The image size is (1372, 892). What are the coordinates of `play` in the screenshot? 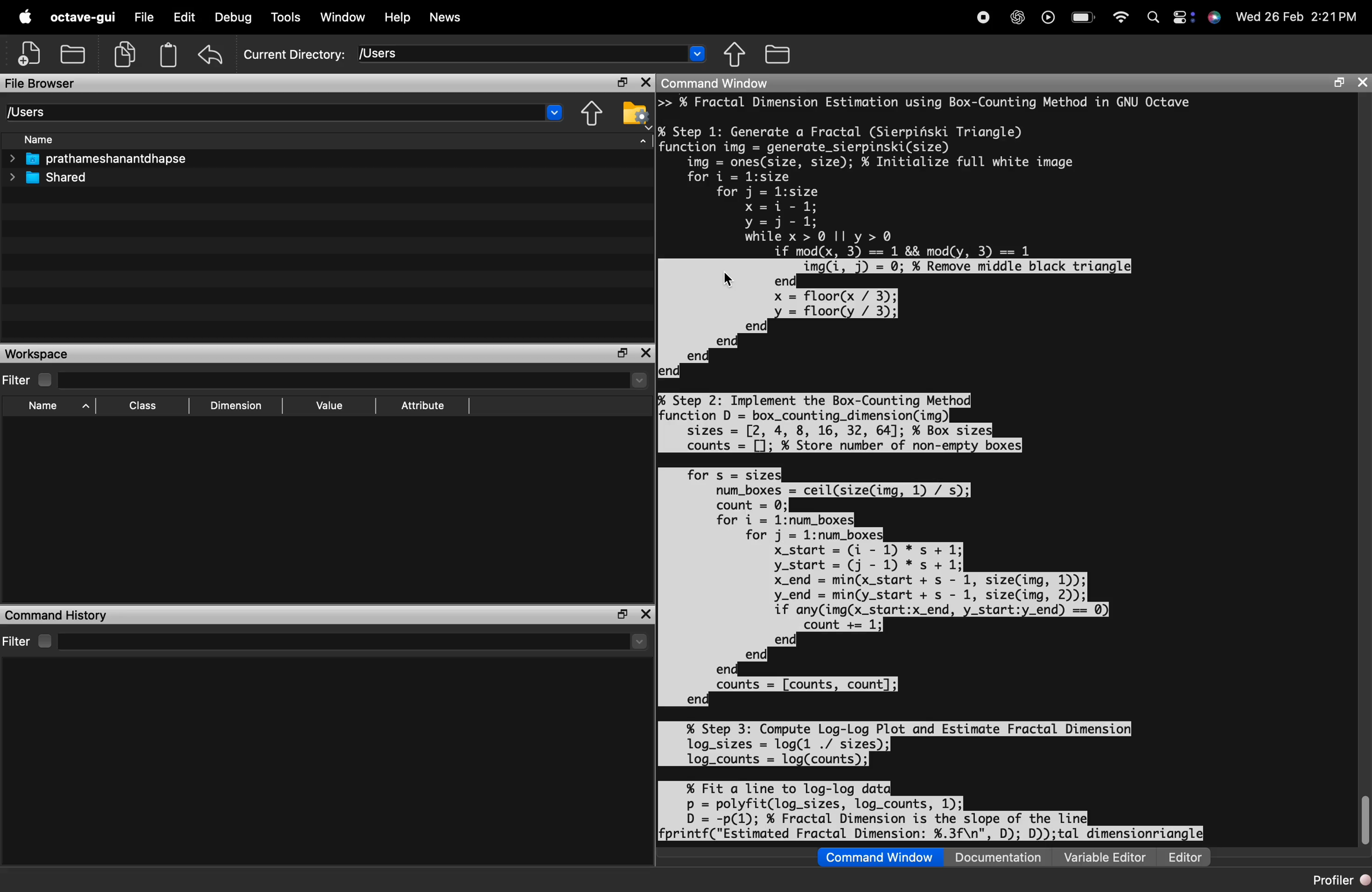 It's located at (1049, 14).